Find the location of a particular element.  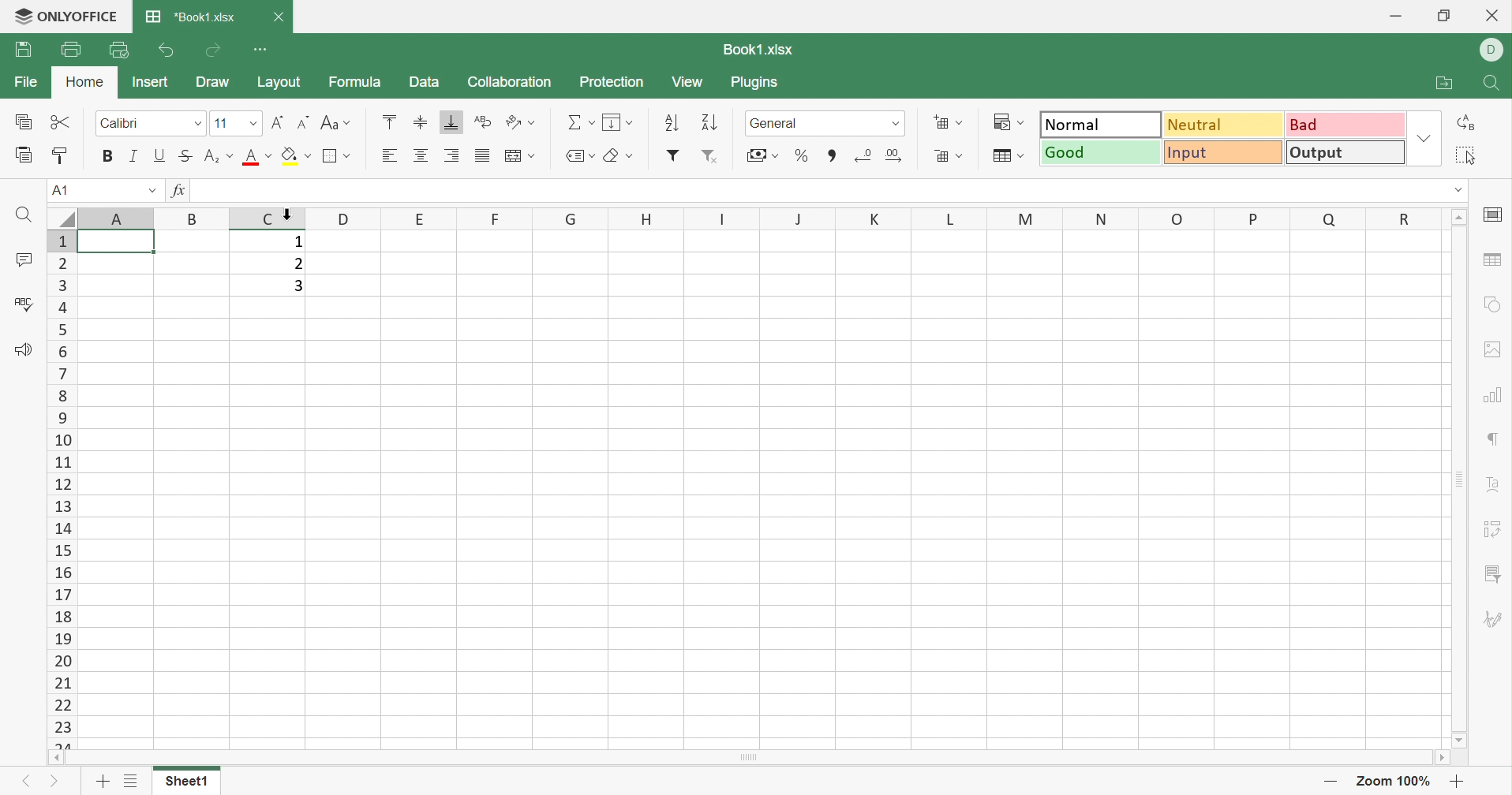

ONLYOFFICE is located at coordinates (67, 16).